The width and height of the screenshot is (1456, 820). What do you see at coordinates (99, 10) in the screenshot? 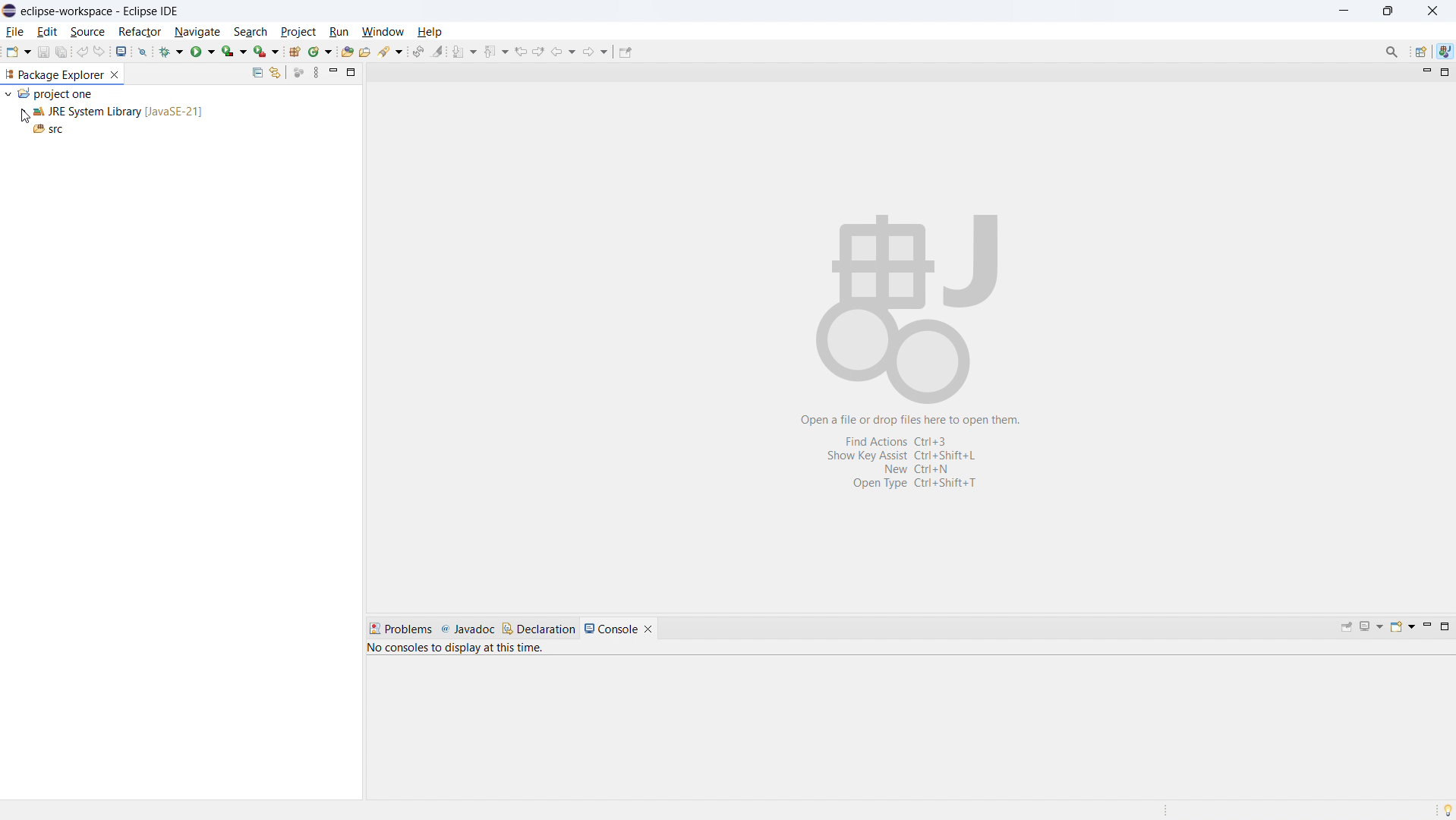
I see `eclipse-workspace-Eclipse IDE` at bounding box center [99, 10].